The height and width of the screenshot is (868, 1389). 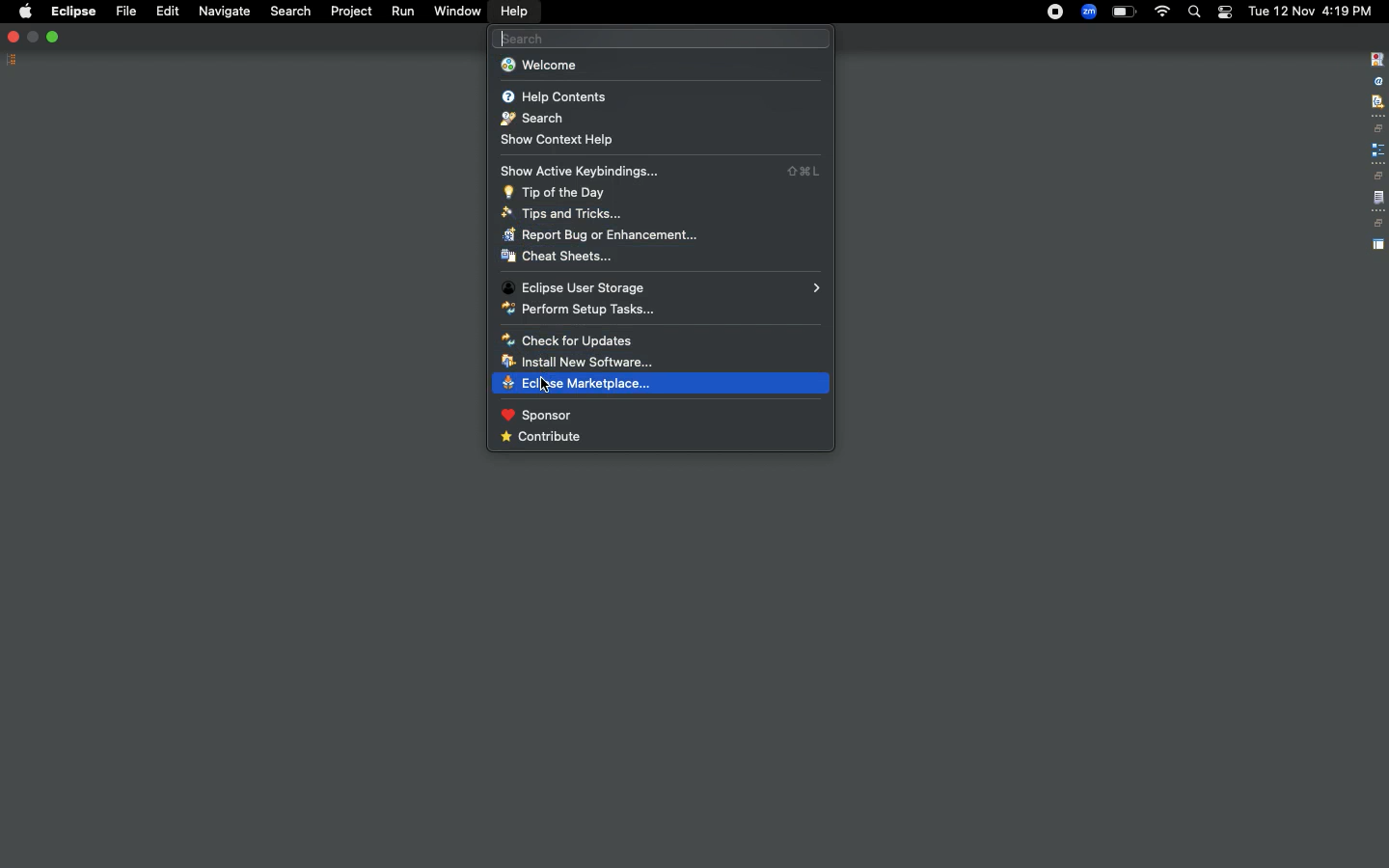 I want to click on Project, so click(x=352, y=12).